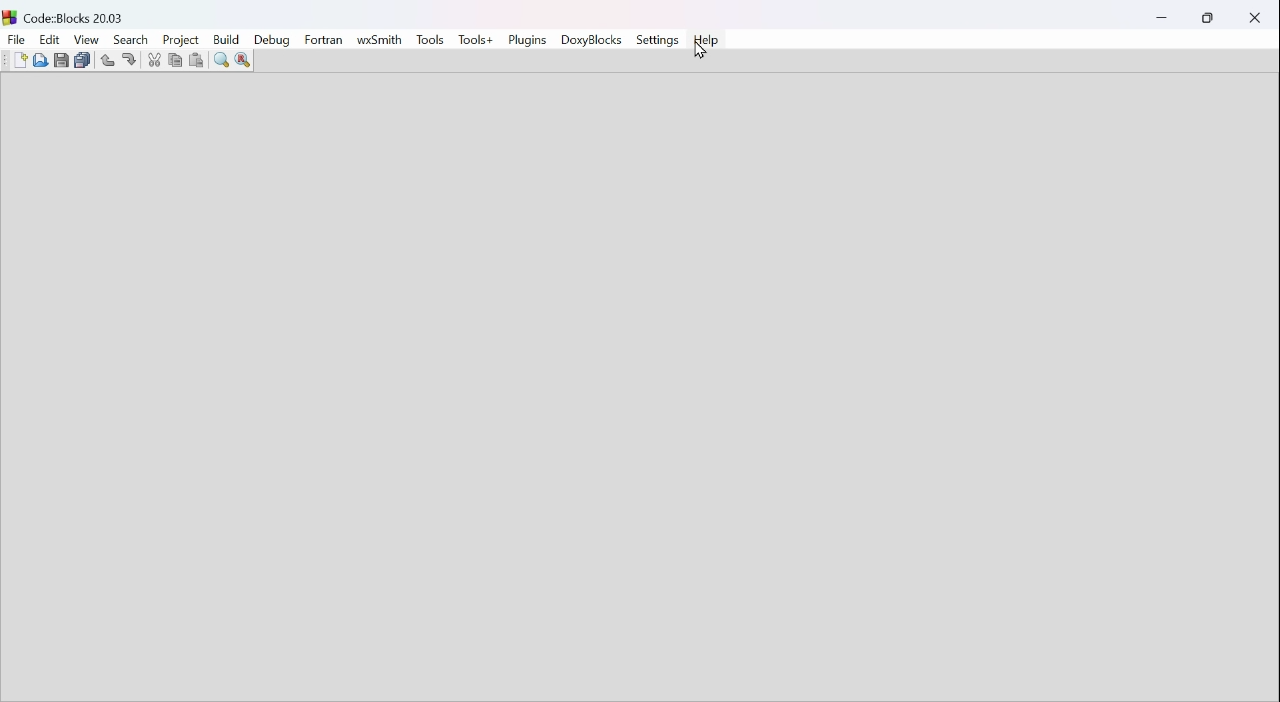 The width and height of the screenshot is (1280, 702). I want to click on Tools, so click(431, 36).